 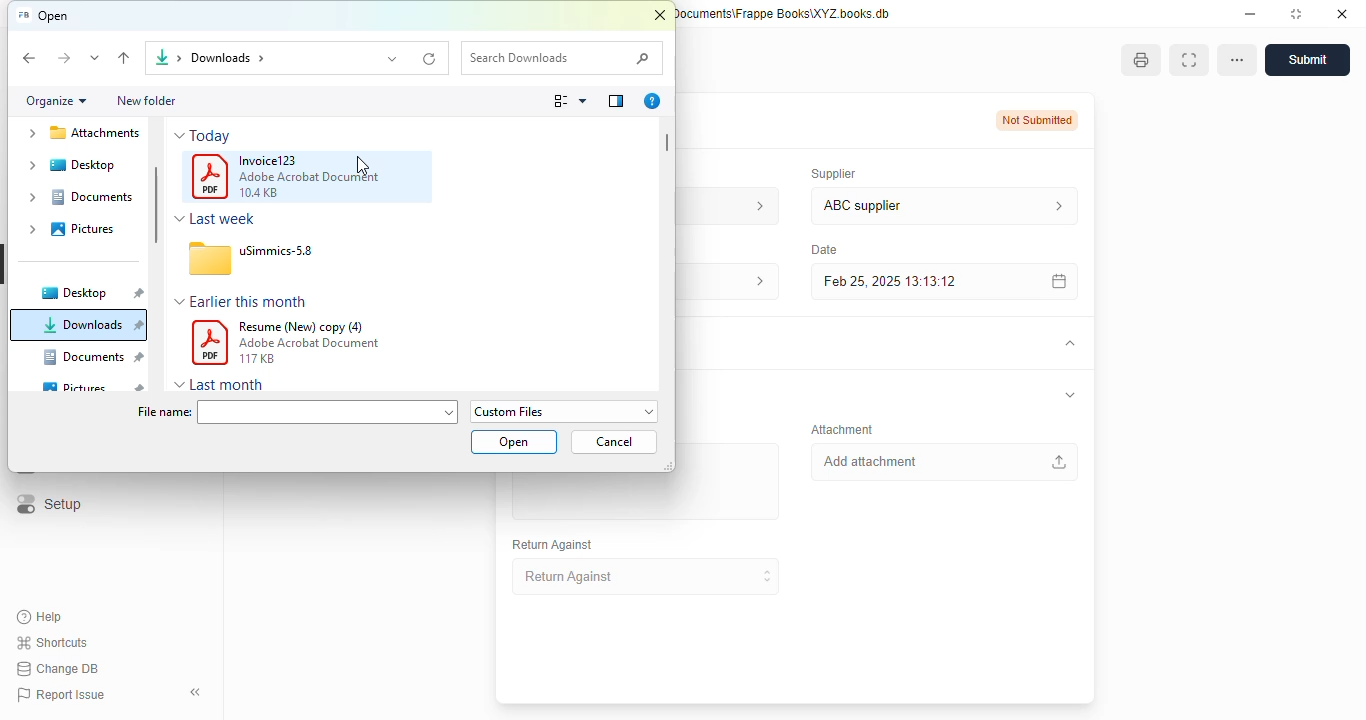 What do you see at coordinates (842, 429) in the screenshot?
I see `attachment` at bounding box center [842, 429].